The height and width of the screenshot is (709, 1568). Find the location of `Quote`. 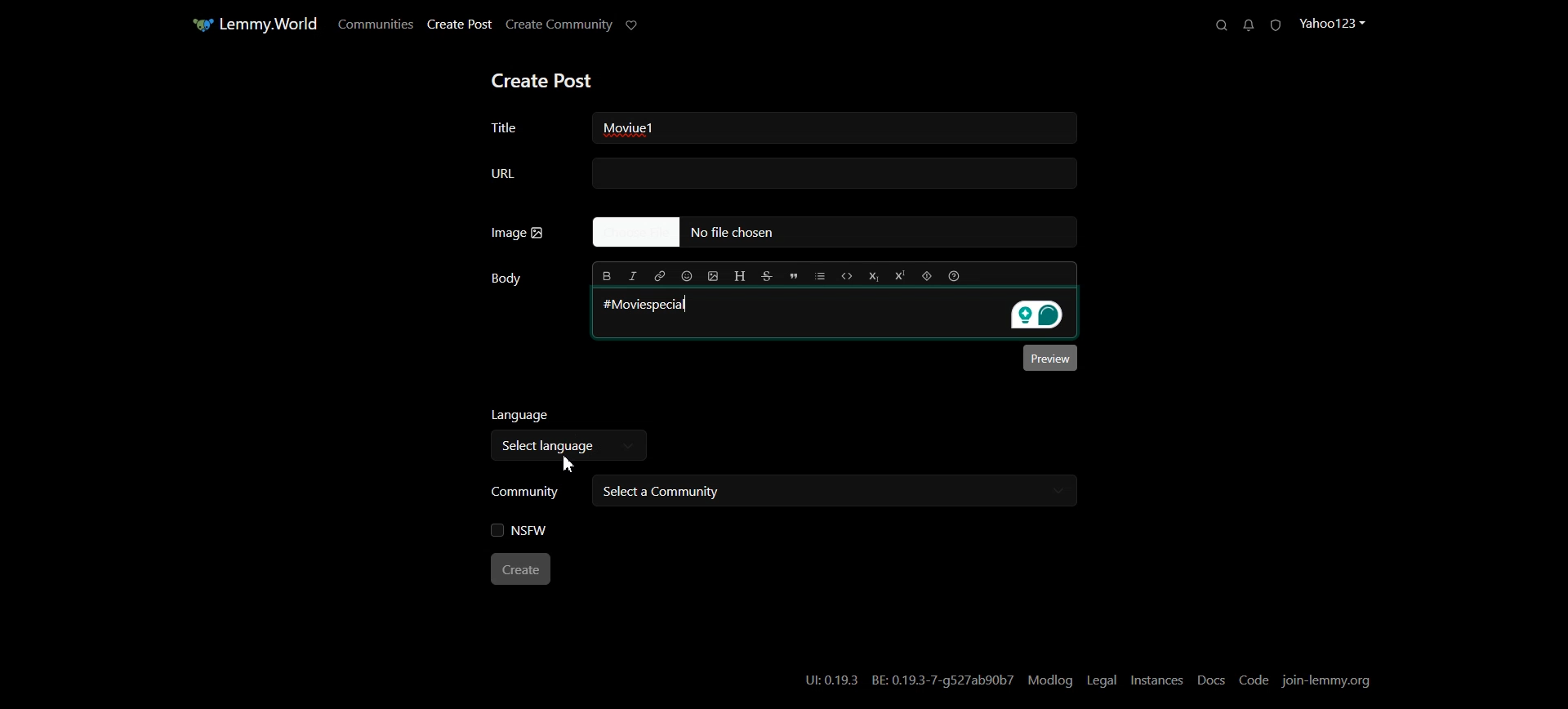

Quote is located at coordinates (794, 277).